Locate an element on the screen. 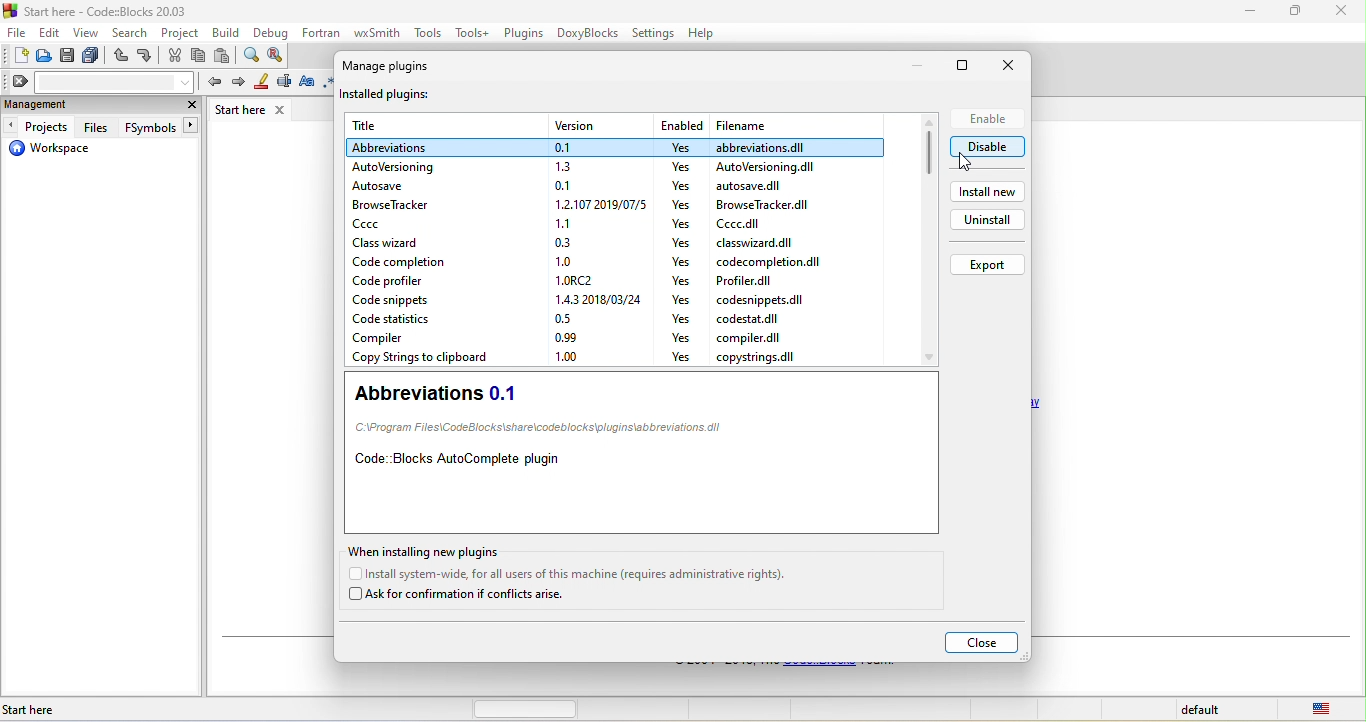  ccc is located at coordinates (419, 223).